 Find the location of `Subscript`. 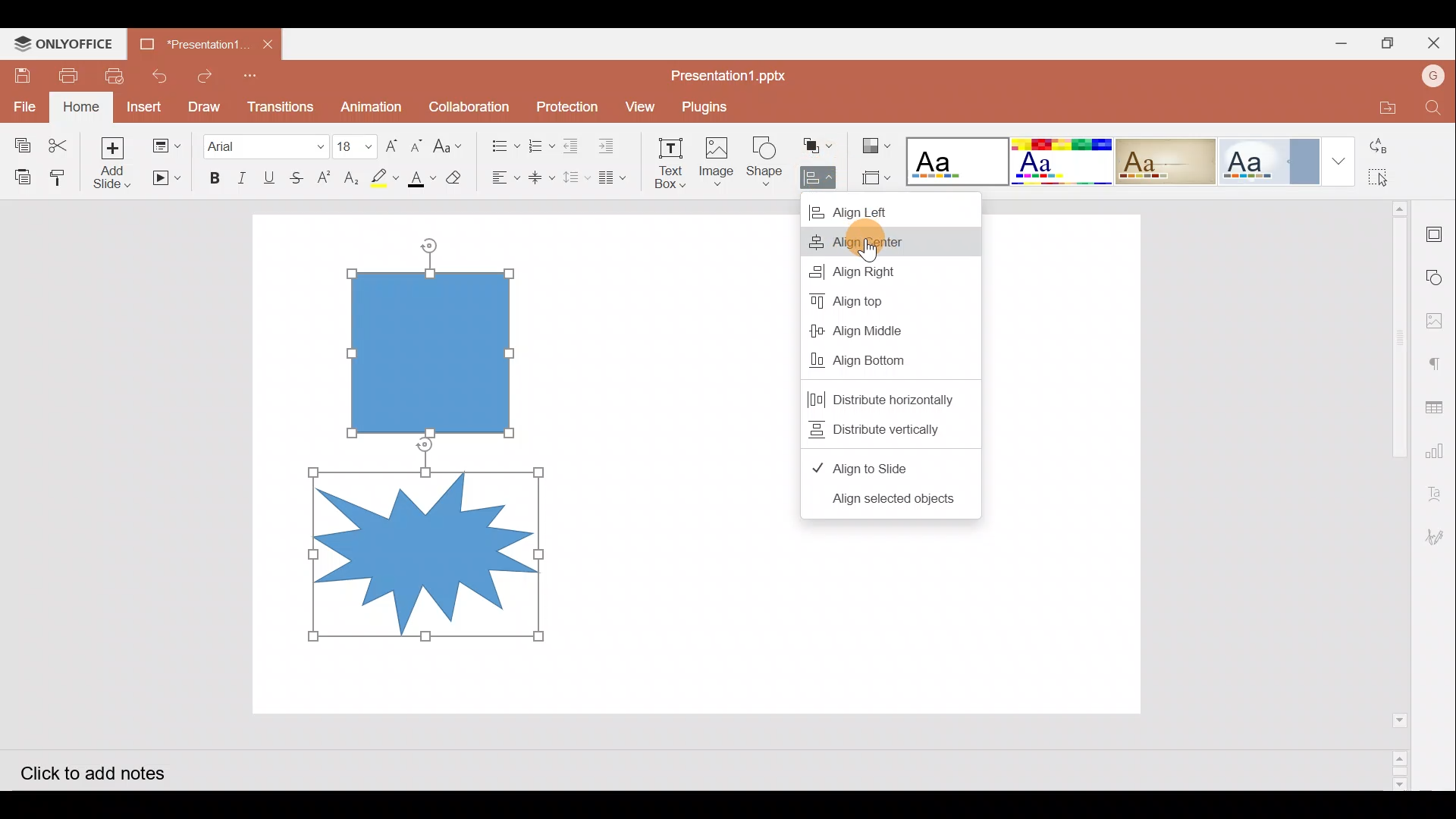

Subscript is located at coordinates (350, 175).